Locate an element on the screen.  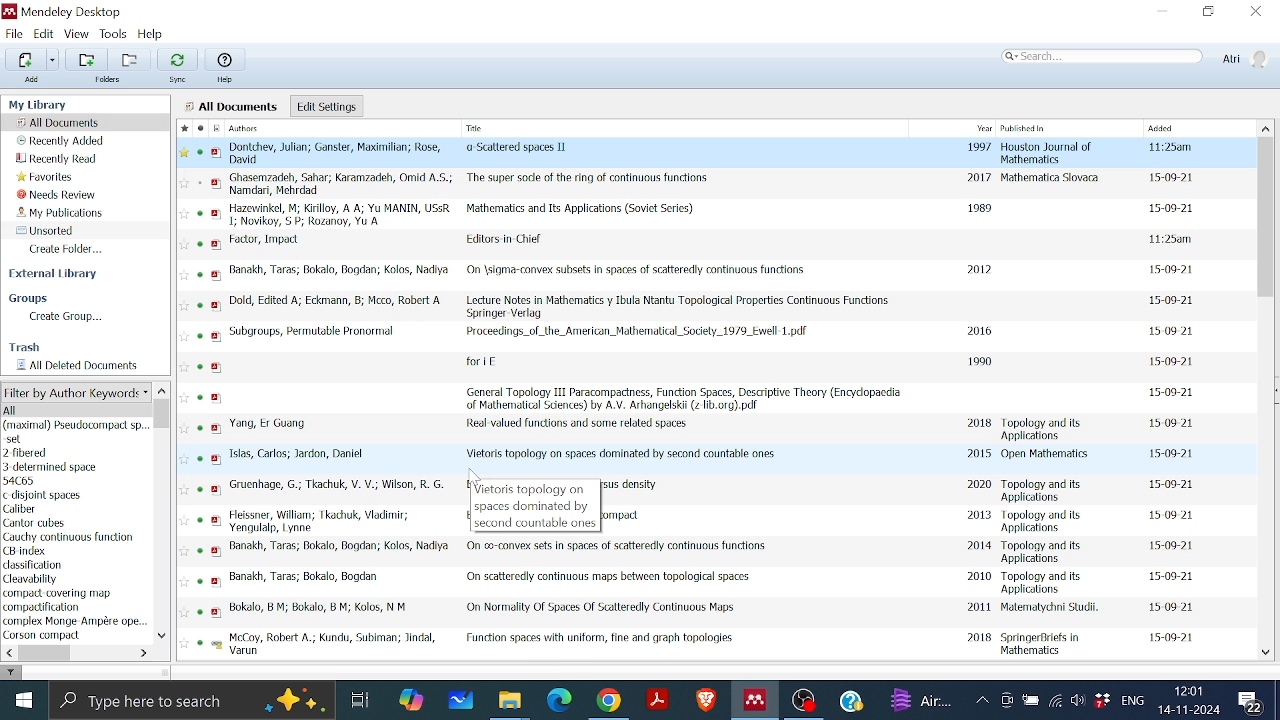
pdf is located at coordinates (216, 215).